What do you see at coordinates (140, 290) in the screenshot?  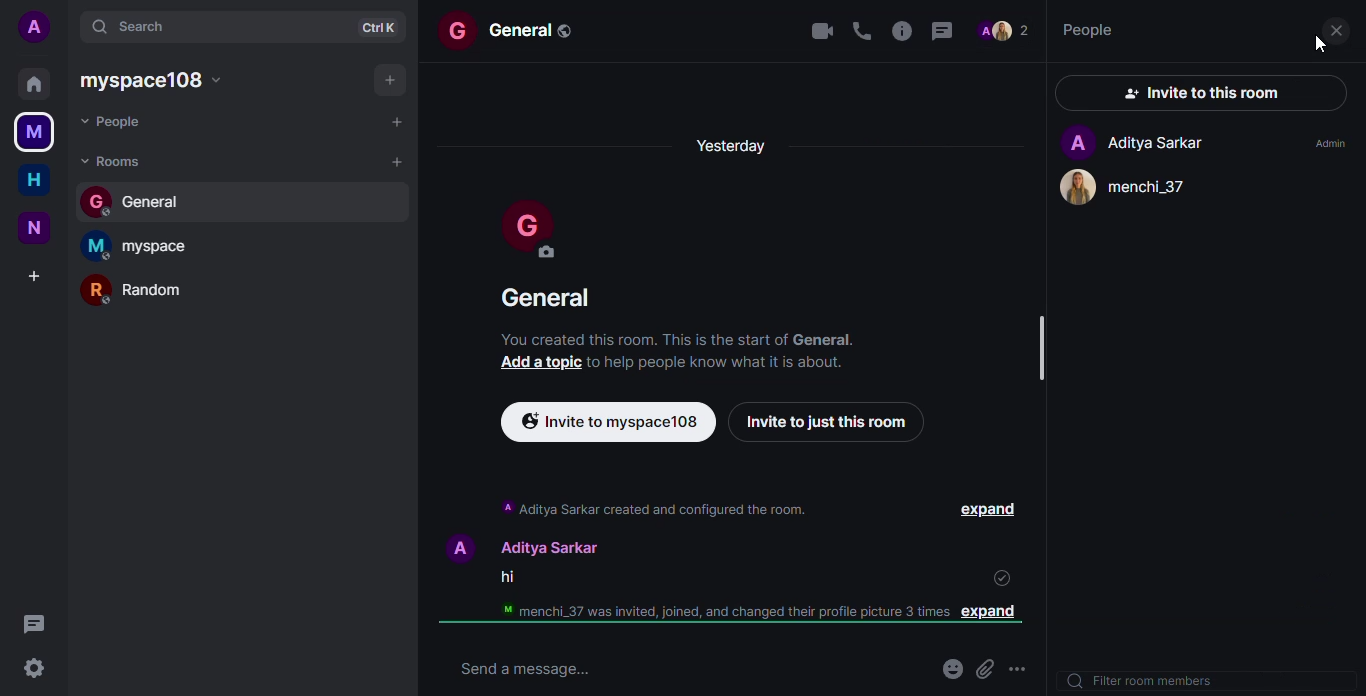 I see `random` at bounding box center [140, 290].